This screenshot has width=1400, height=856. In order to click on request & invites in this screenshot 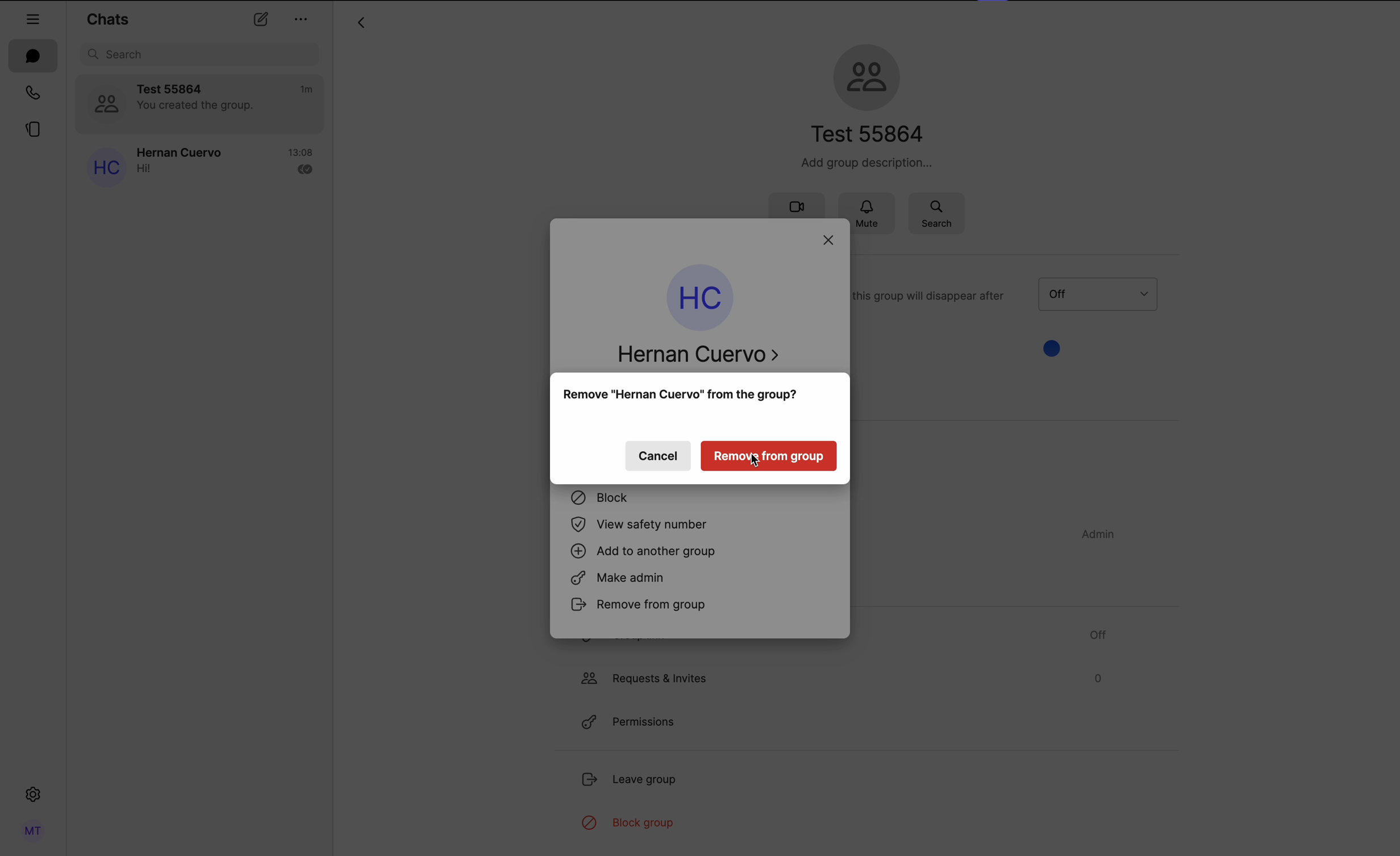, I will do `click(840, 678)`.